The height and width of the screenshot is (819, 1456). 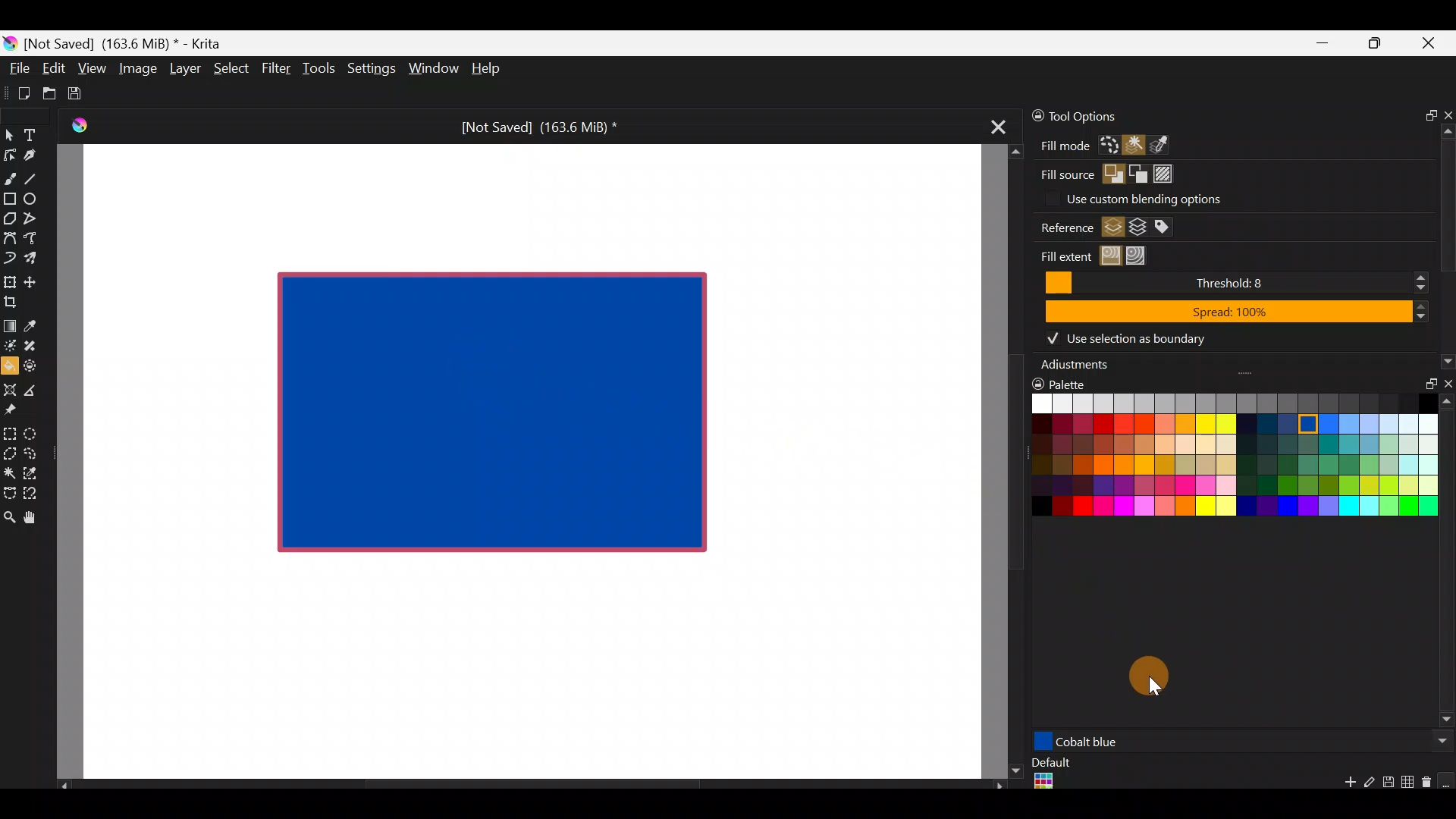 I want to click on Fill mode, so click(x=1060, y=145).